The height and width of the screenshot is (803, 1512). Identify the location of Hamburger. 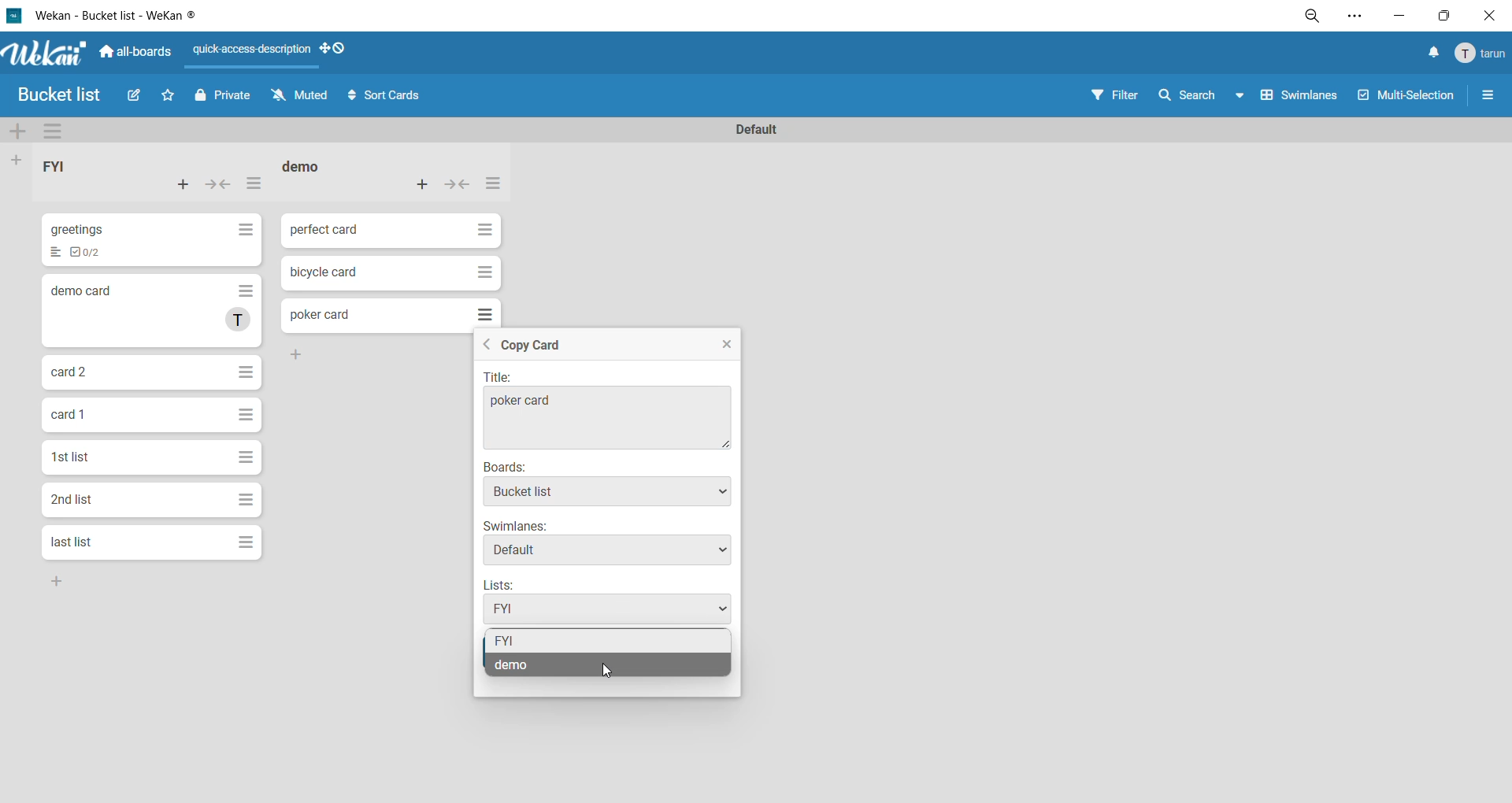
(243, 231).